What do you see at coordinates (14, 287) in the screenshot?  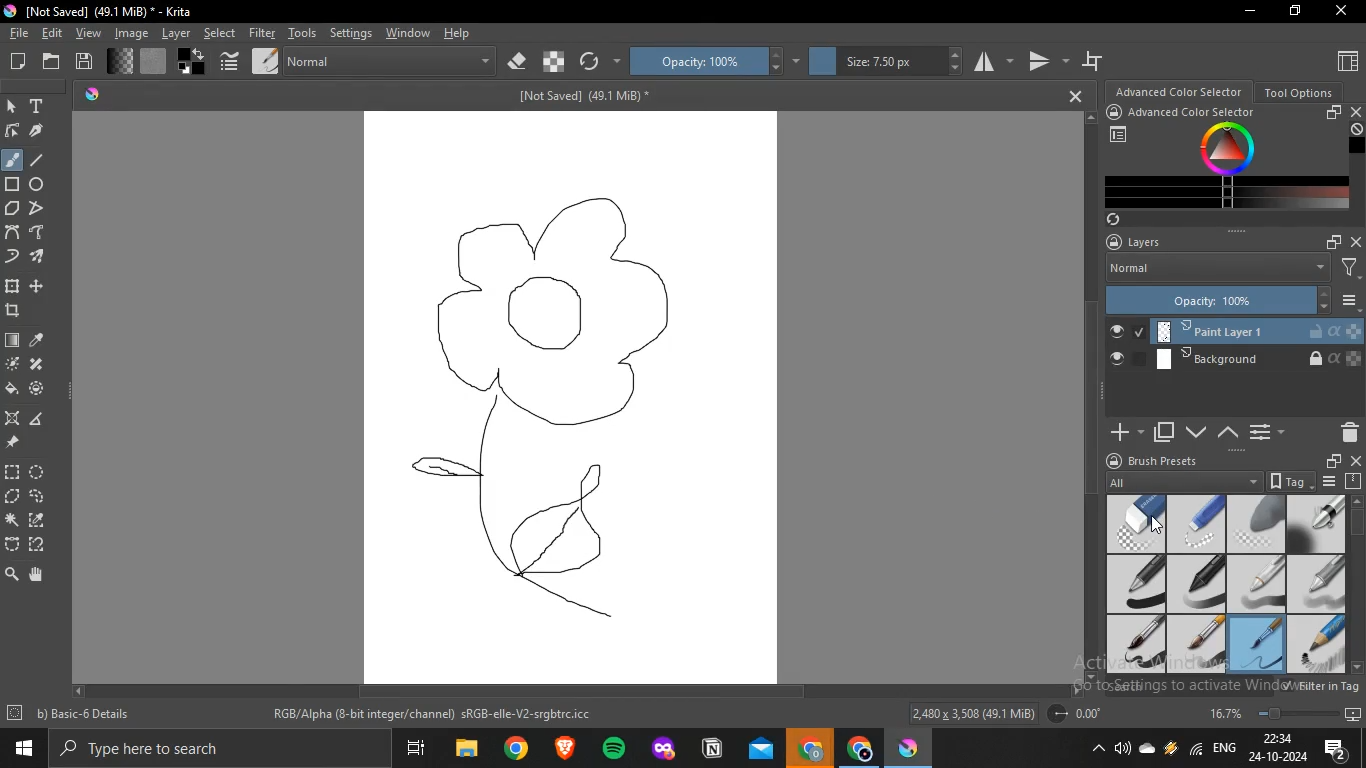 I see `transform layer` at bounding box center [14, 287].